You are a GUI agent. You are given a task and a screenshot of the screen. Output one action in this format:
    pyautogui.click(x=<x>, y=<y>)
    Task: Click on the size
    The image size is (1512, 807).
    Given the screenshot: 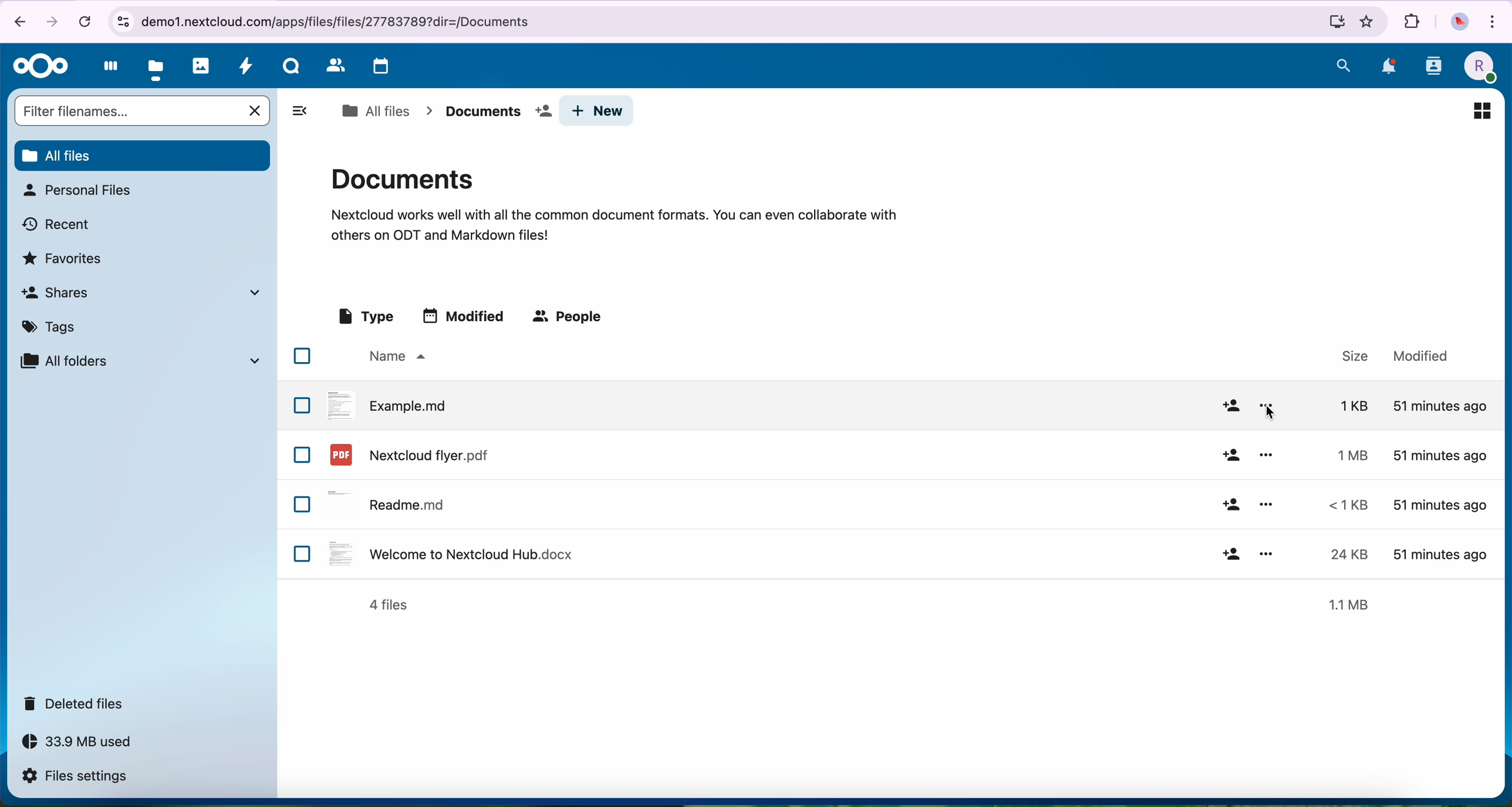 What is the action you would take?
    pyautogui.click(x=1354, y=354)
    